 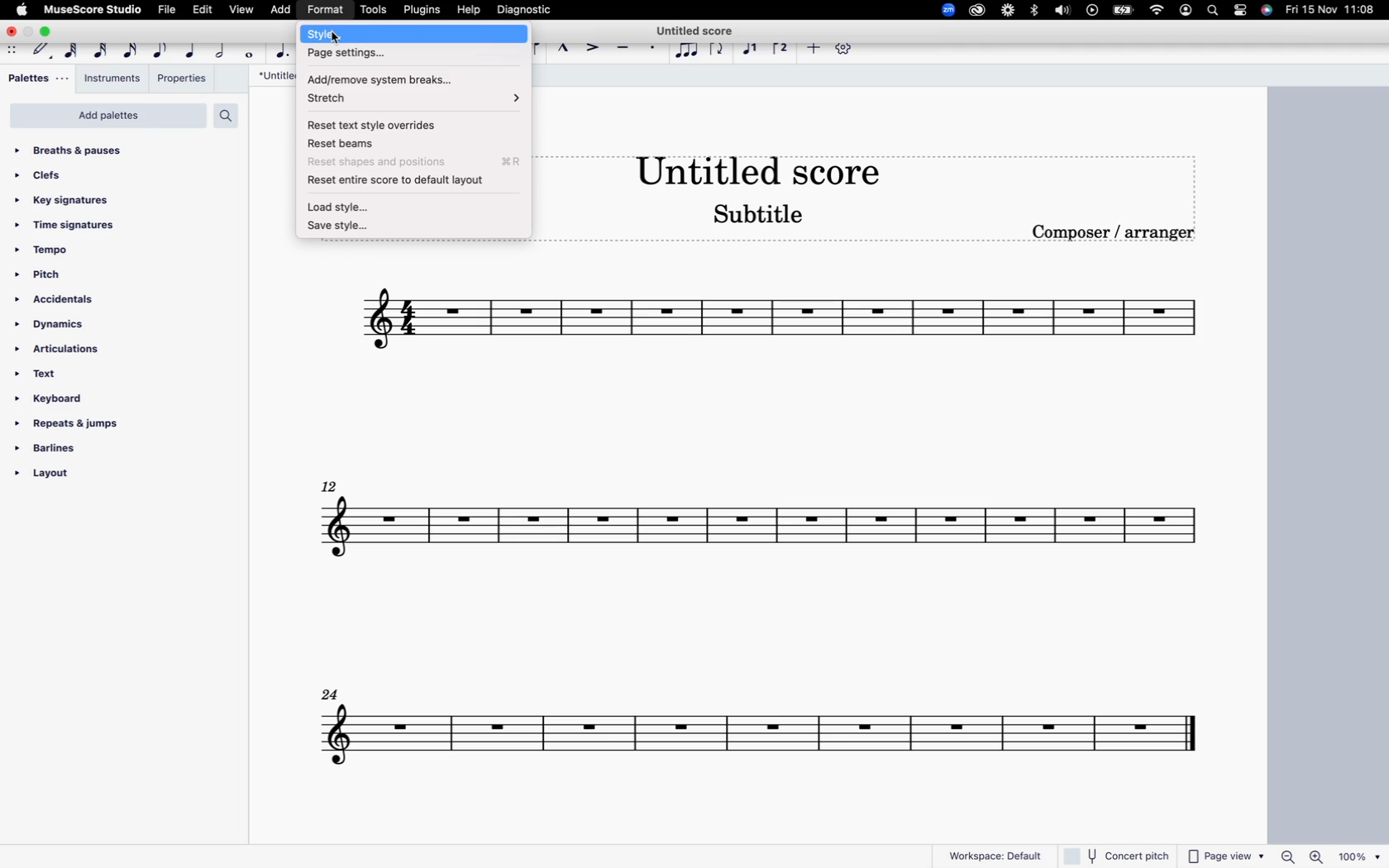 What do you see at coordinates (189, 50) in the screenshot?
I see `quarter note` at bounding box center [189, 50].